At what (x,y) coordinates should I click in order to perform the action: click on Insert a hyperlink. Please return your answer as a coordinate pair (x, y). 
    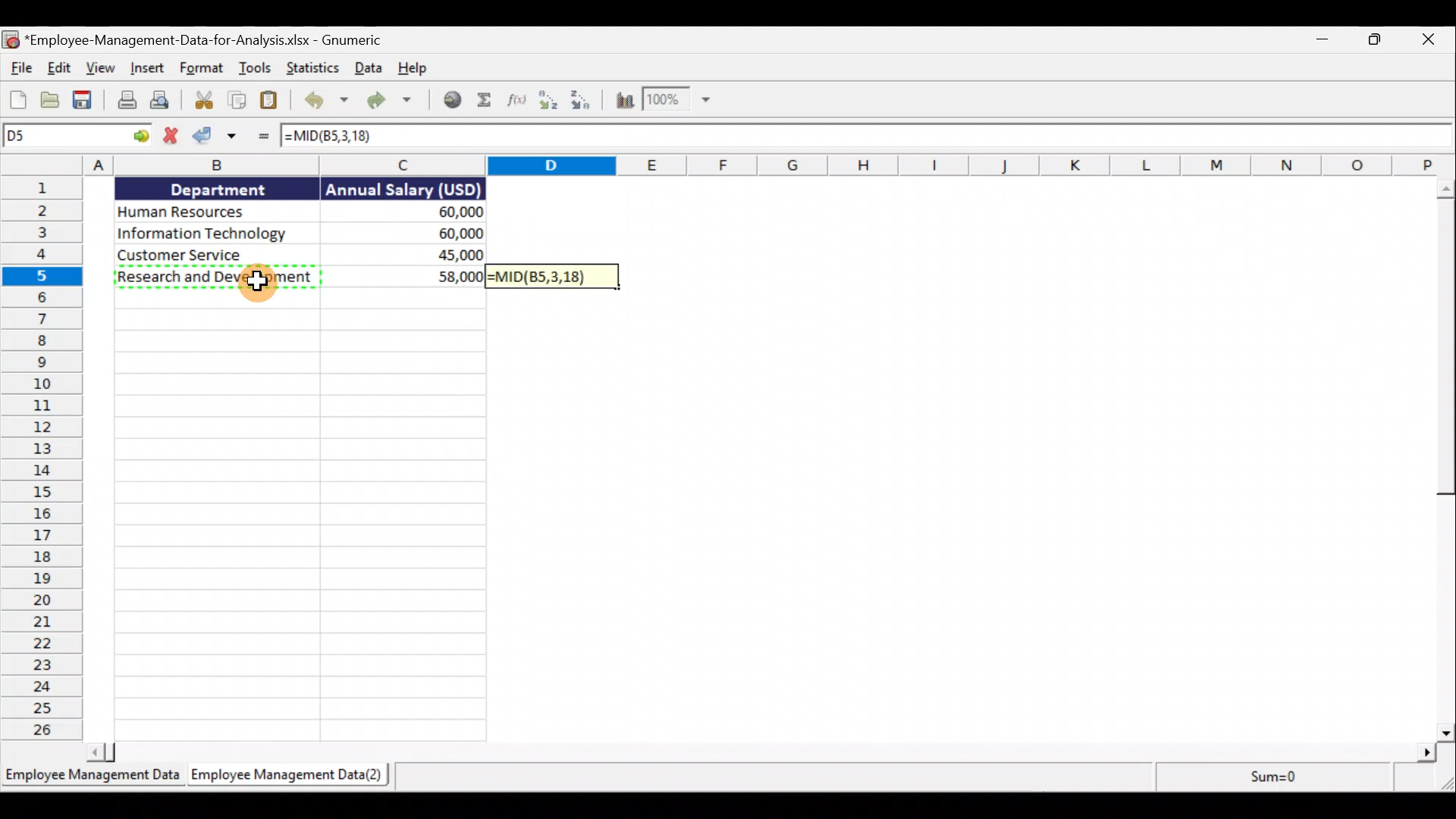
    Looking at the image, I should click on (452, 103).